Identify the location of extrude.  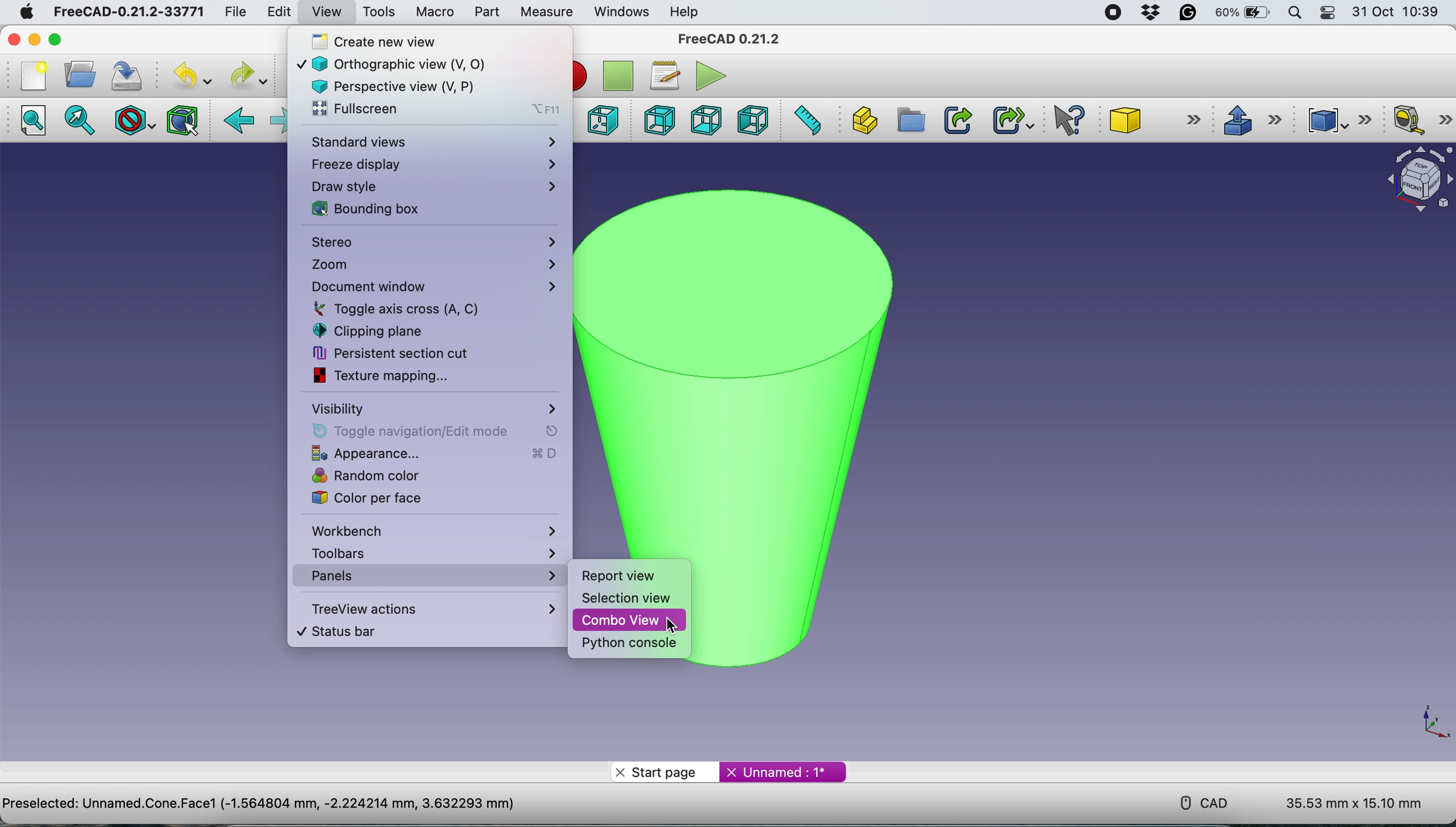
(1251, 120).